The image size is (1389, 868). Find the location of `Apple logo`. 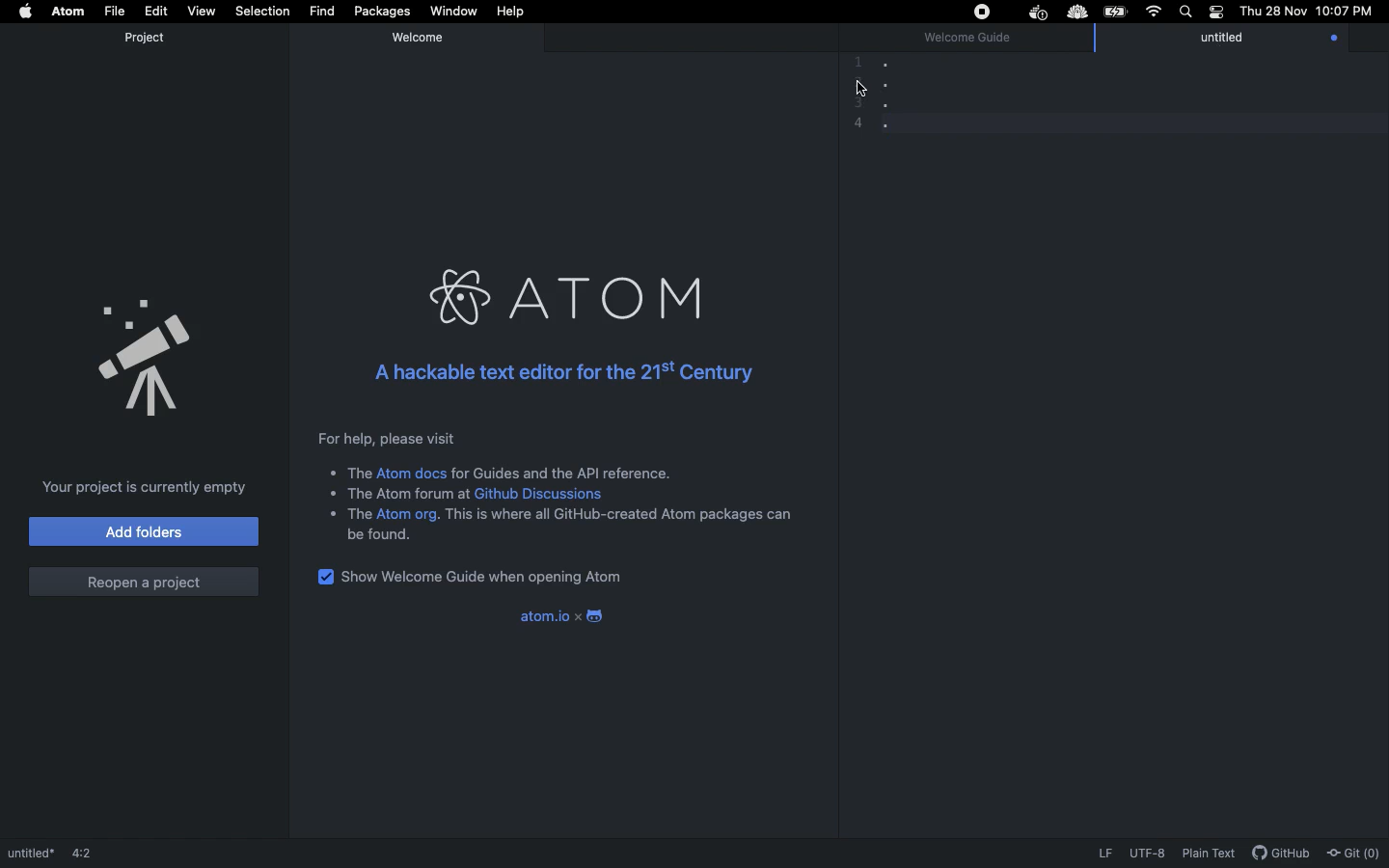

Apple logo is located at coordinates (26, 14).